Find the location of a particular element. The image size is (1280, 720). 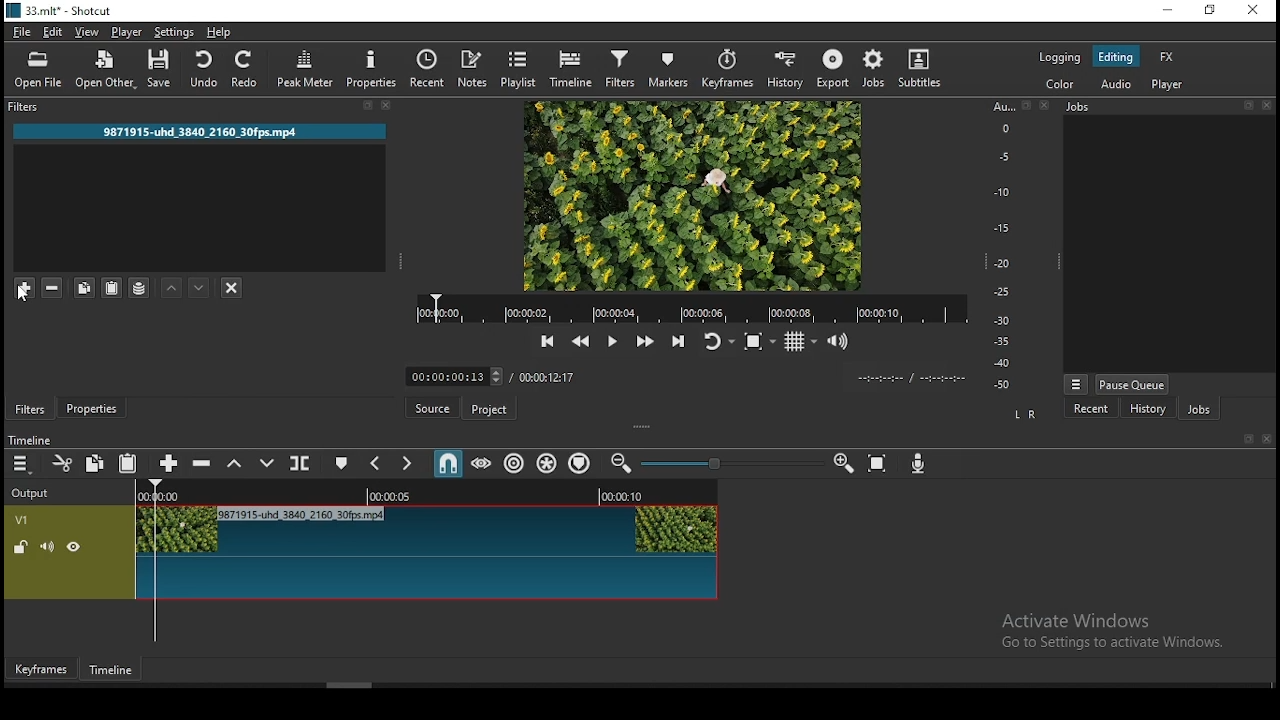

recent is located at coordinates (1092, 412).